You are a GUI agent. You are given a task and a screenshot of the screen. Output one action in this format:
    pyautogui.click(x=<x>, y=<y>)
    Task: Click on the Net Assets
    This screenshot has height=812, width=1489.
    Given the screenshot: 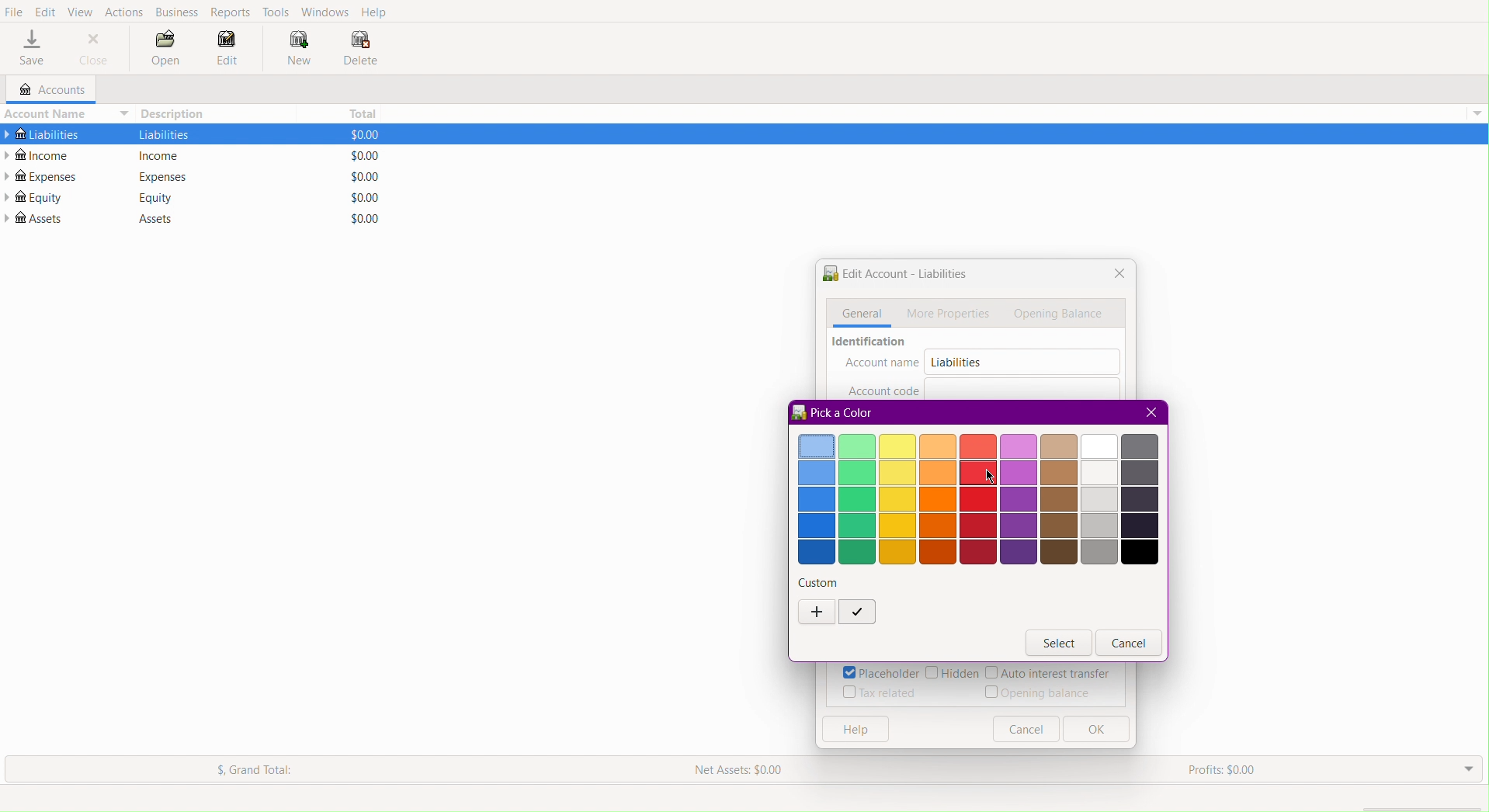 What is the action you would take?
    pyautogui.click(x=741, y=767)
    